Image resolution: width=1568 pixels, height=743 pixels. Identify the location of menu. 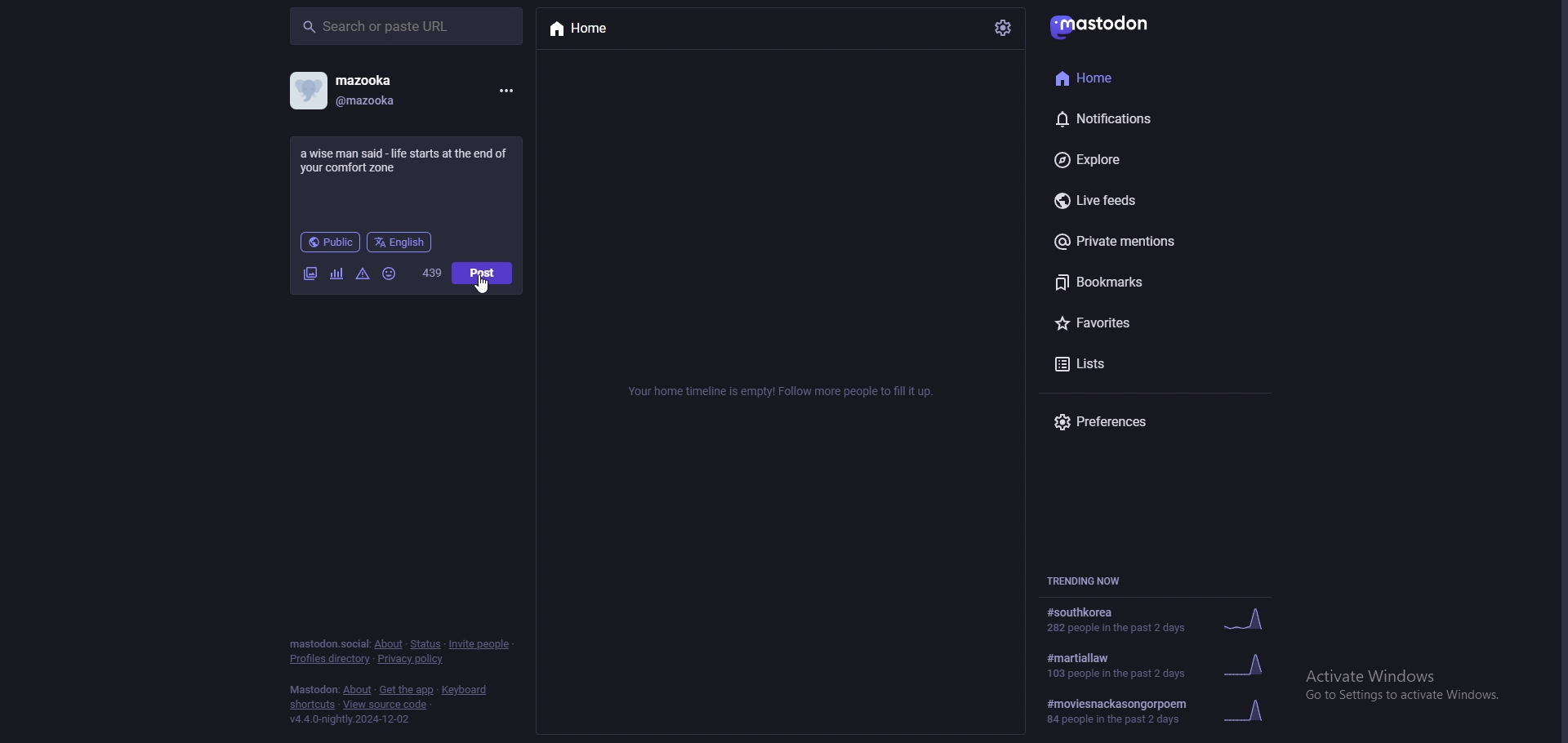
(506, 90).